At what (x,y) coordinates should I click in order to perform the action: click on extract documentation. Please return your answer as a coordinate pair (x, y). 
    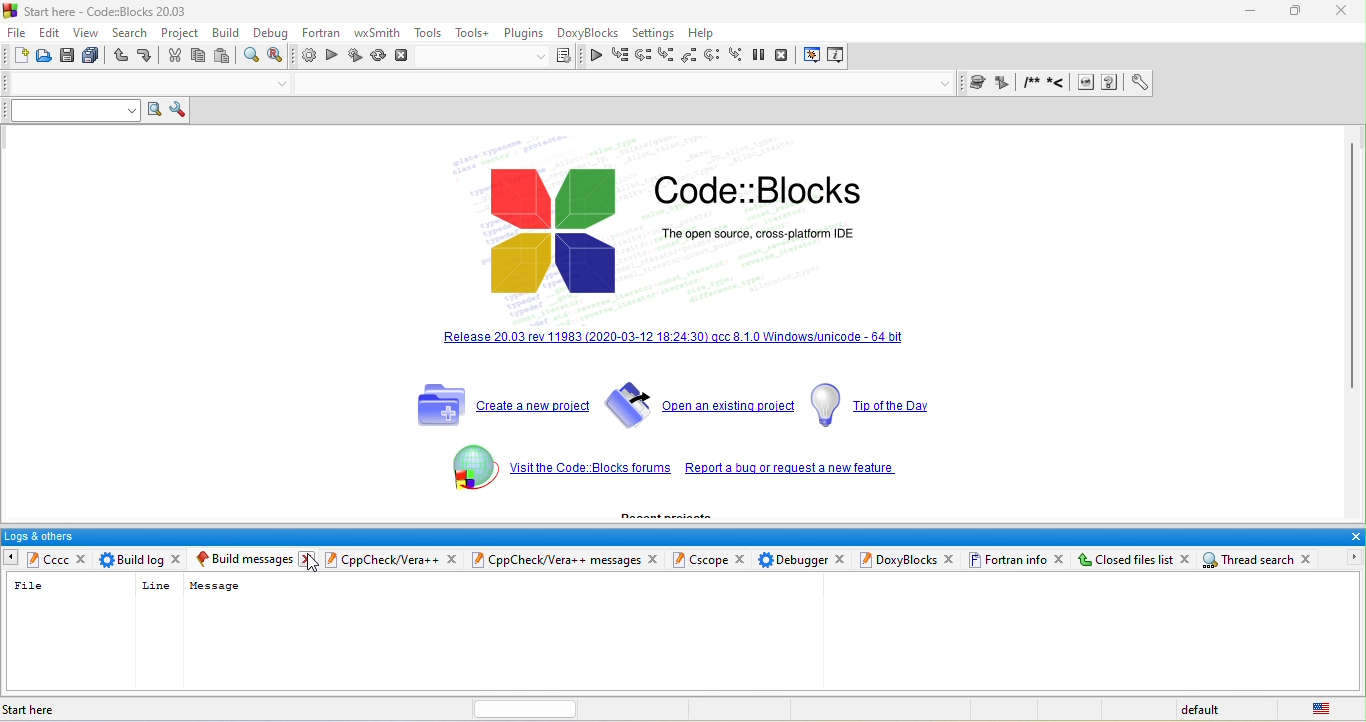
    Looking at the image, I should click on (1005, 83).